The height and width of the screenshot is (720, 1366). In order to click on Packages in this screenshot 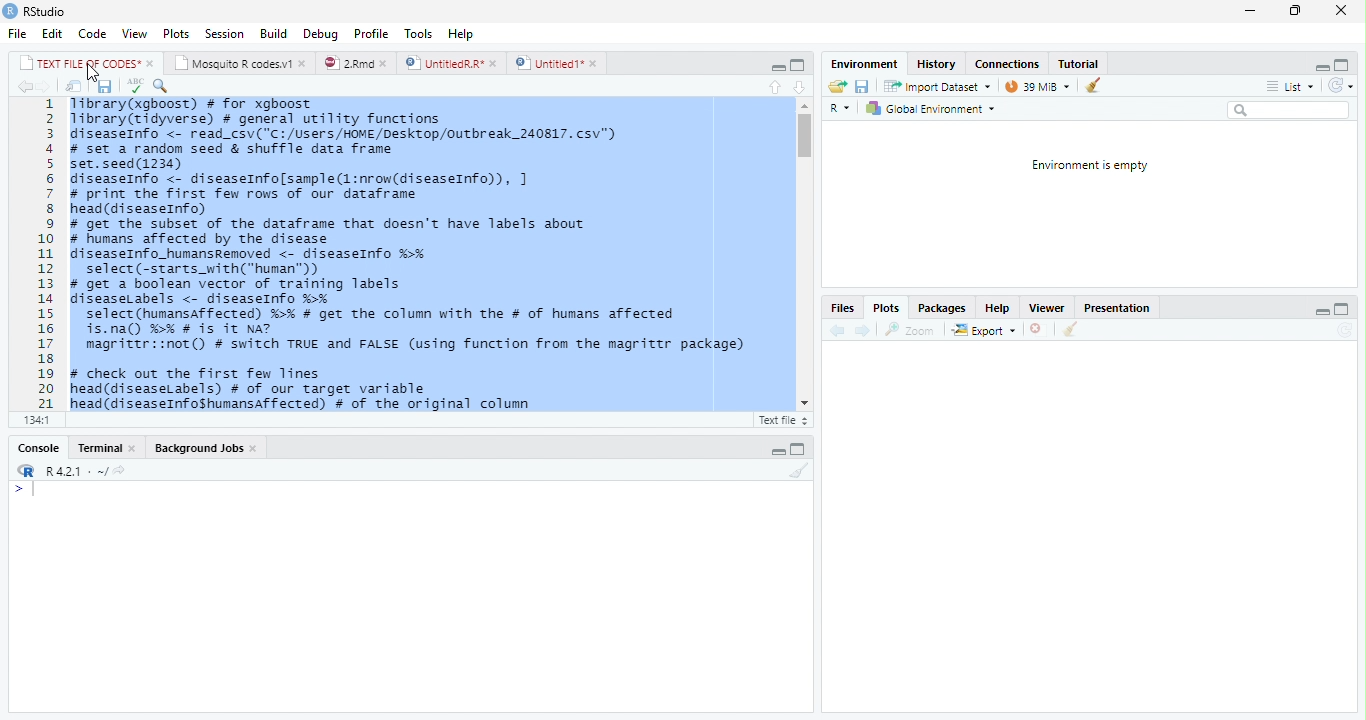, I will do `click(942, 308)`.